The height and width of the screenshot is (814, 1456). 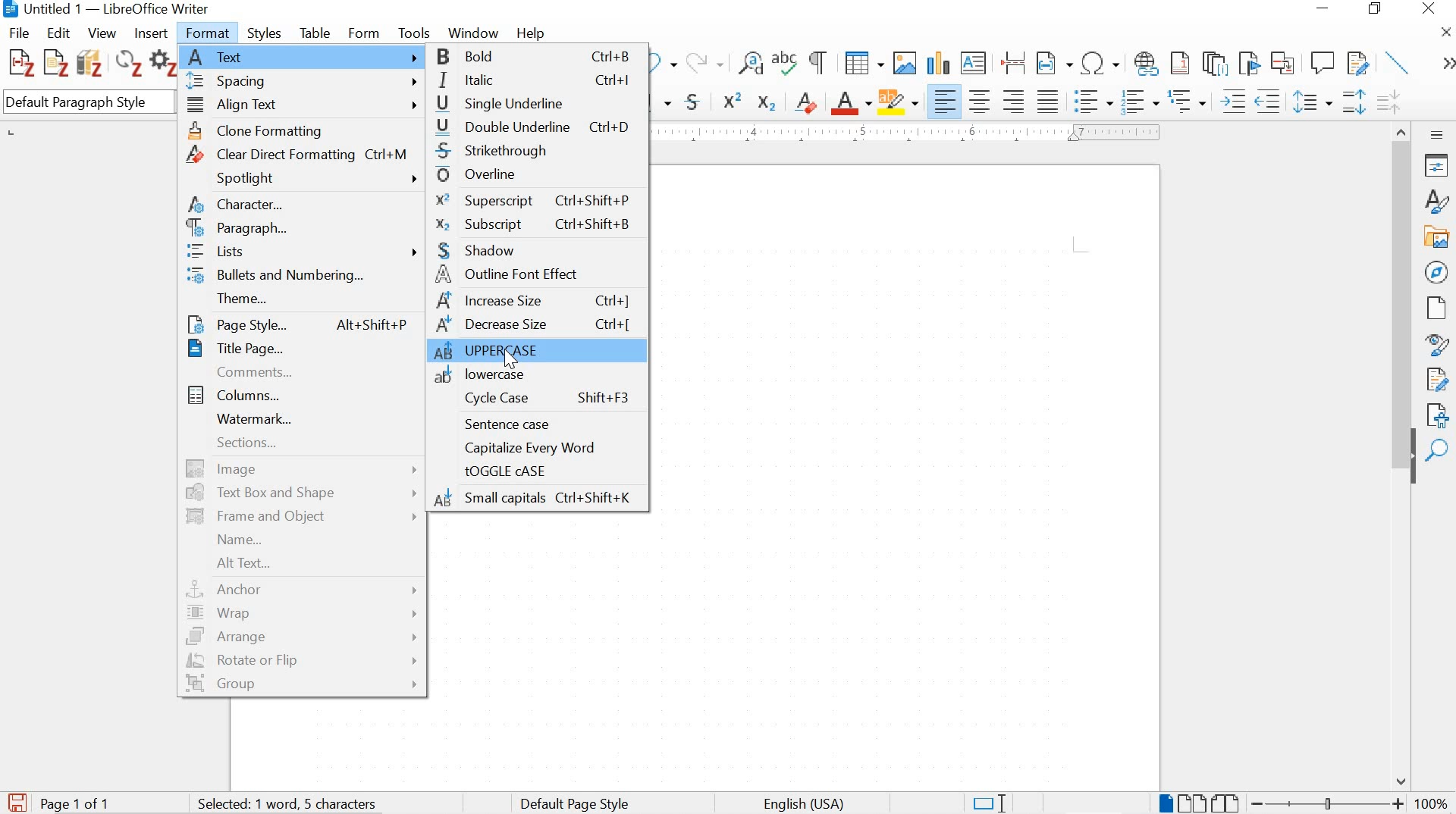 I want to click on move down, so click(x=1402, y=781).